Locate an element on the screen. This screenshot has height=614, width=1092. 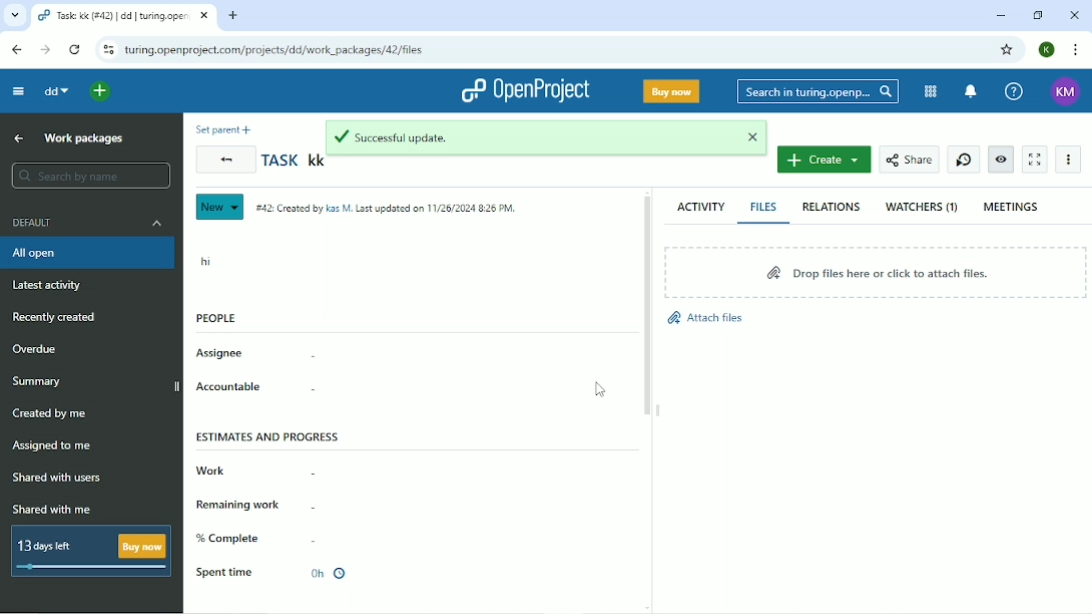
Forward is located at coordinates (46, 49).